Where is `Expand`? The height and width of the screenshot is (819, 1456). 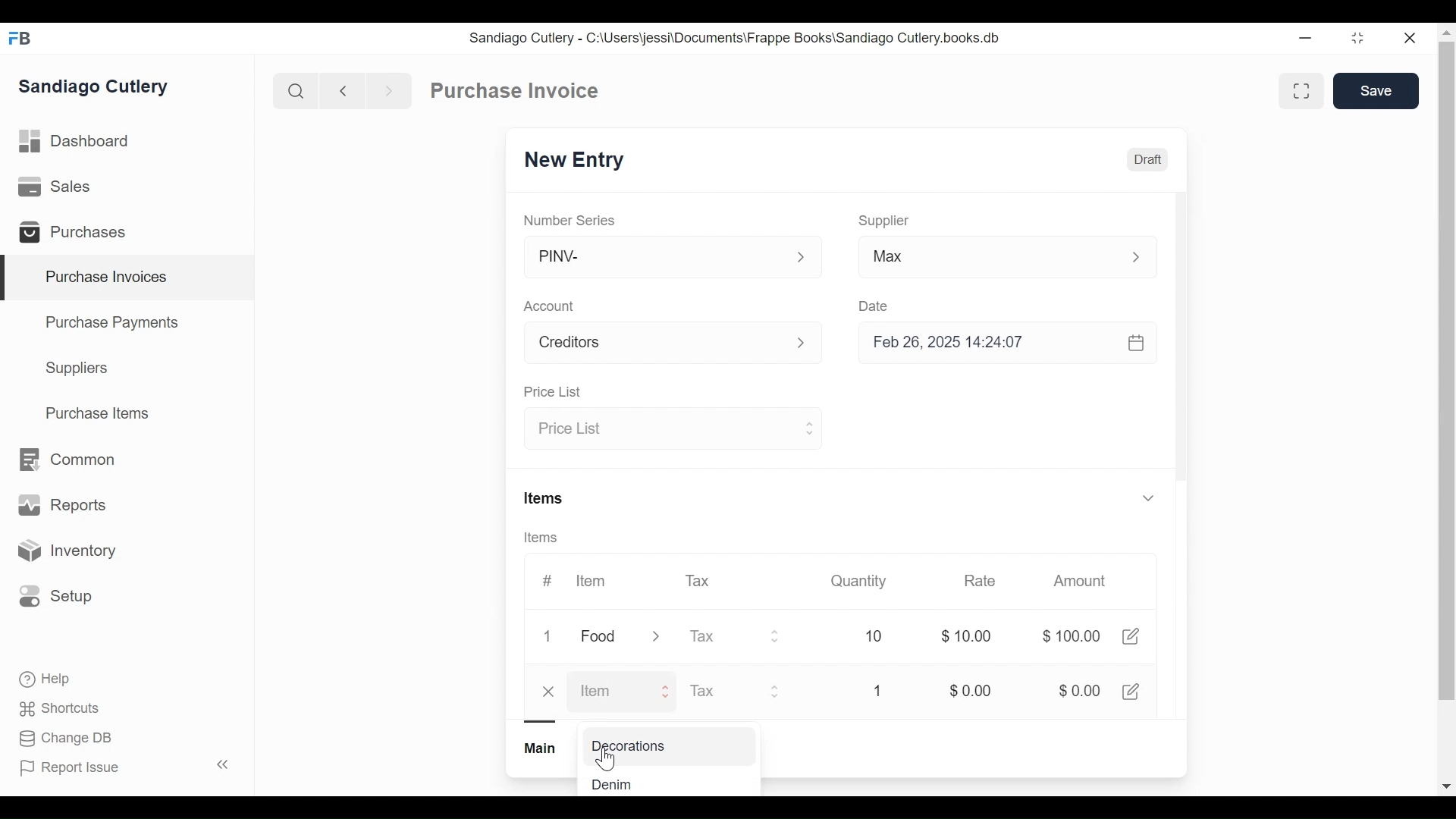
Expand is located at coordinates (802, 258).